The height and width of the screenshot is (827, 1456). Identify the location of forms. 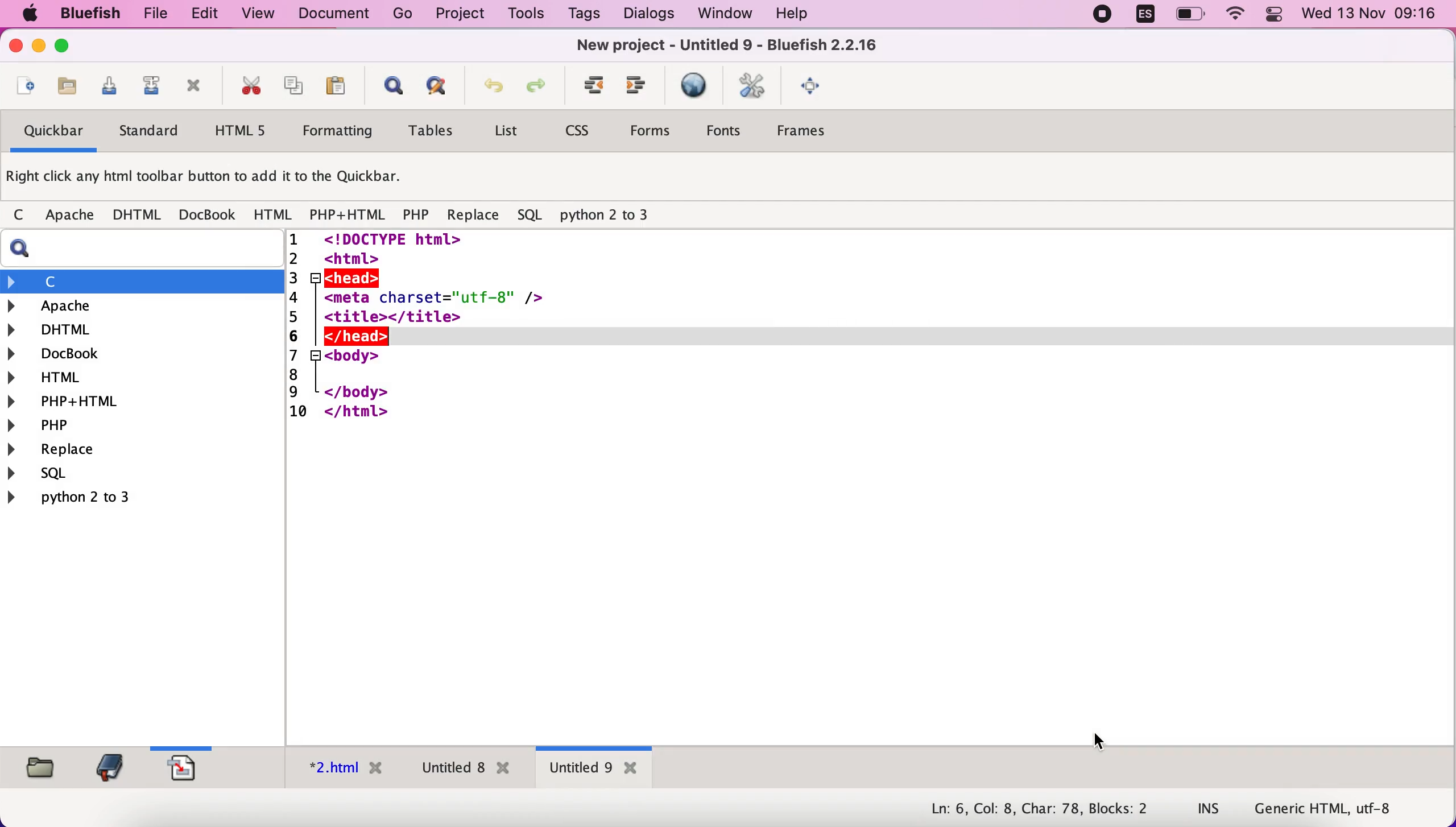
(651, 131).